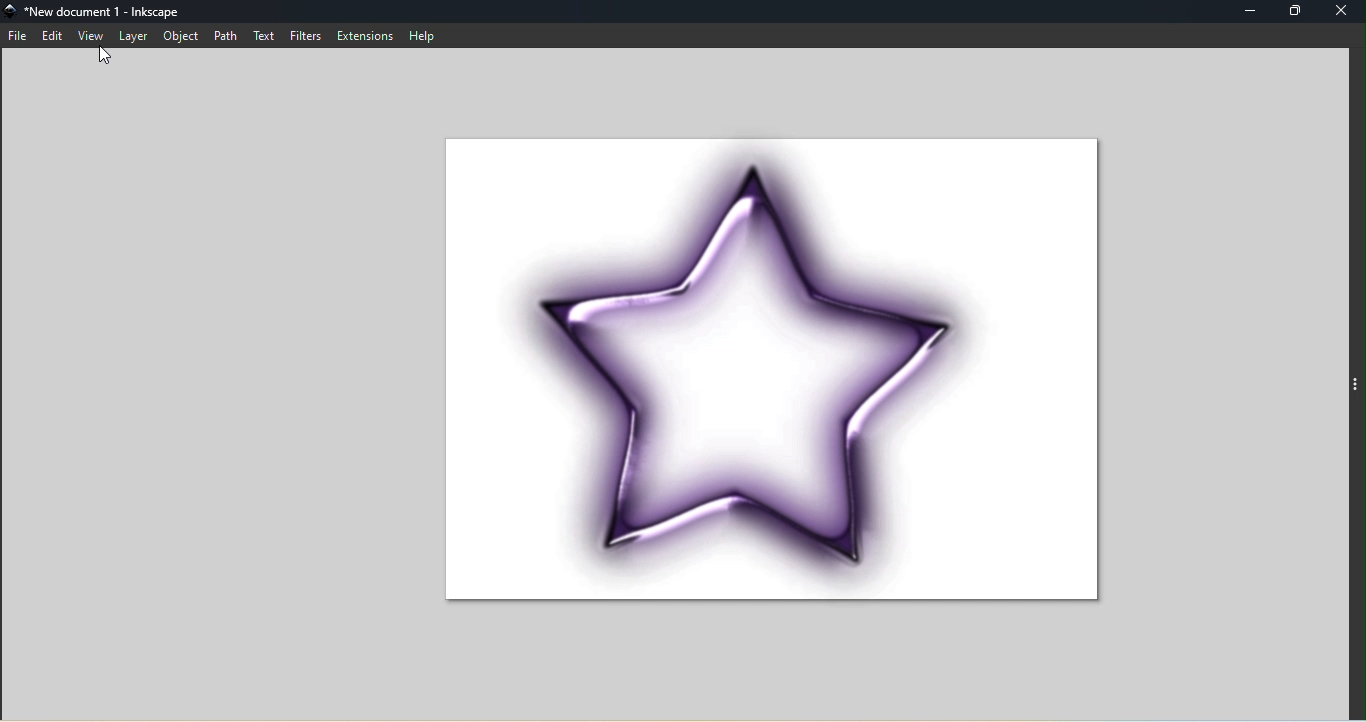 This screenshot has height=722, width=1366. What do you see at coordinates (426, 35) in the screenshot?
I see `help` at bounding box center [426, 35].